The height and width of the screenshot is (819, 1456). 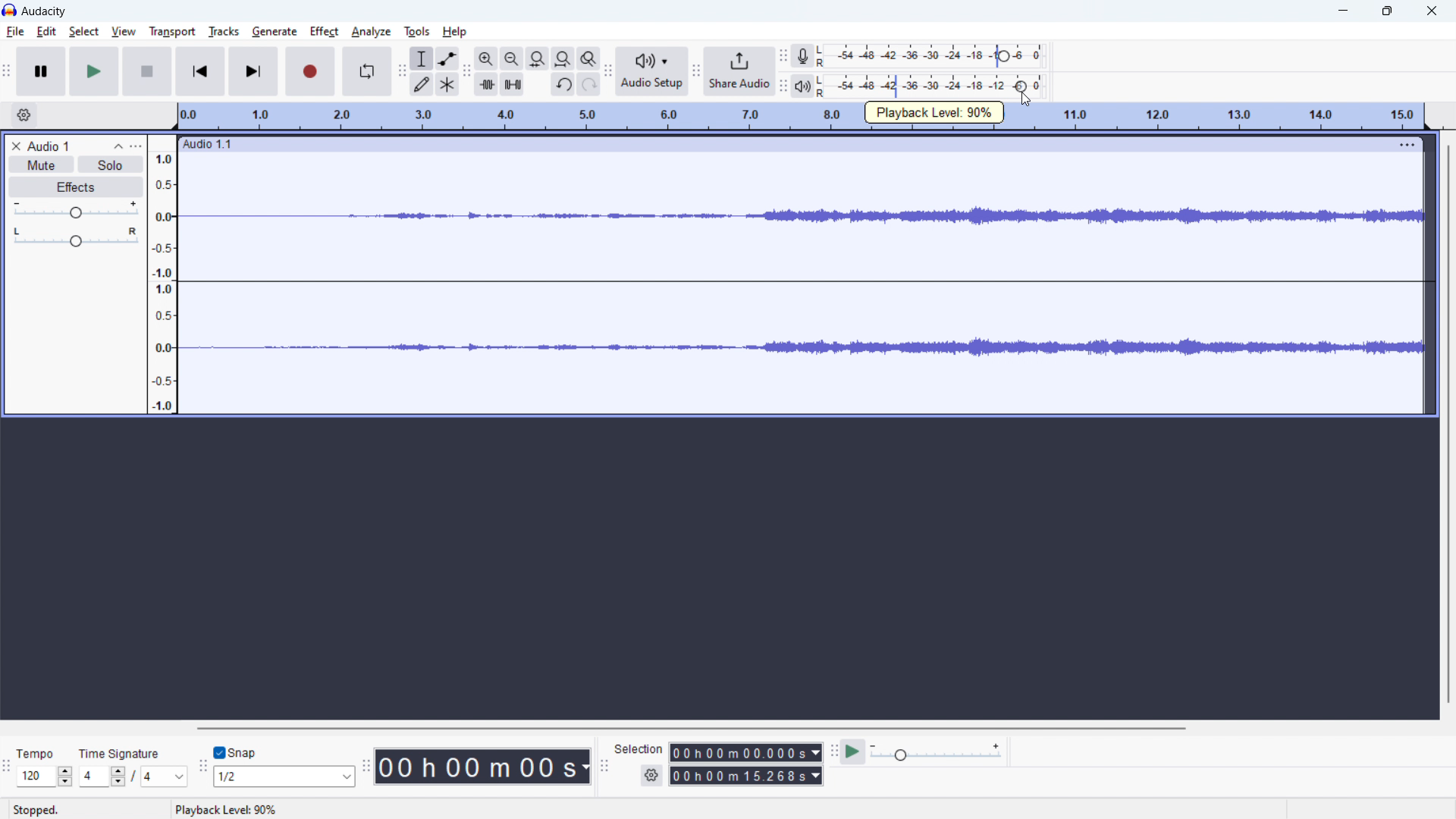 I want to click on playback meter toolbar, so click(x=781, y=83).